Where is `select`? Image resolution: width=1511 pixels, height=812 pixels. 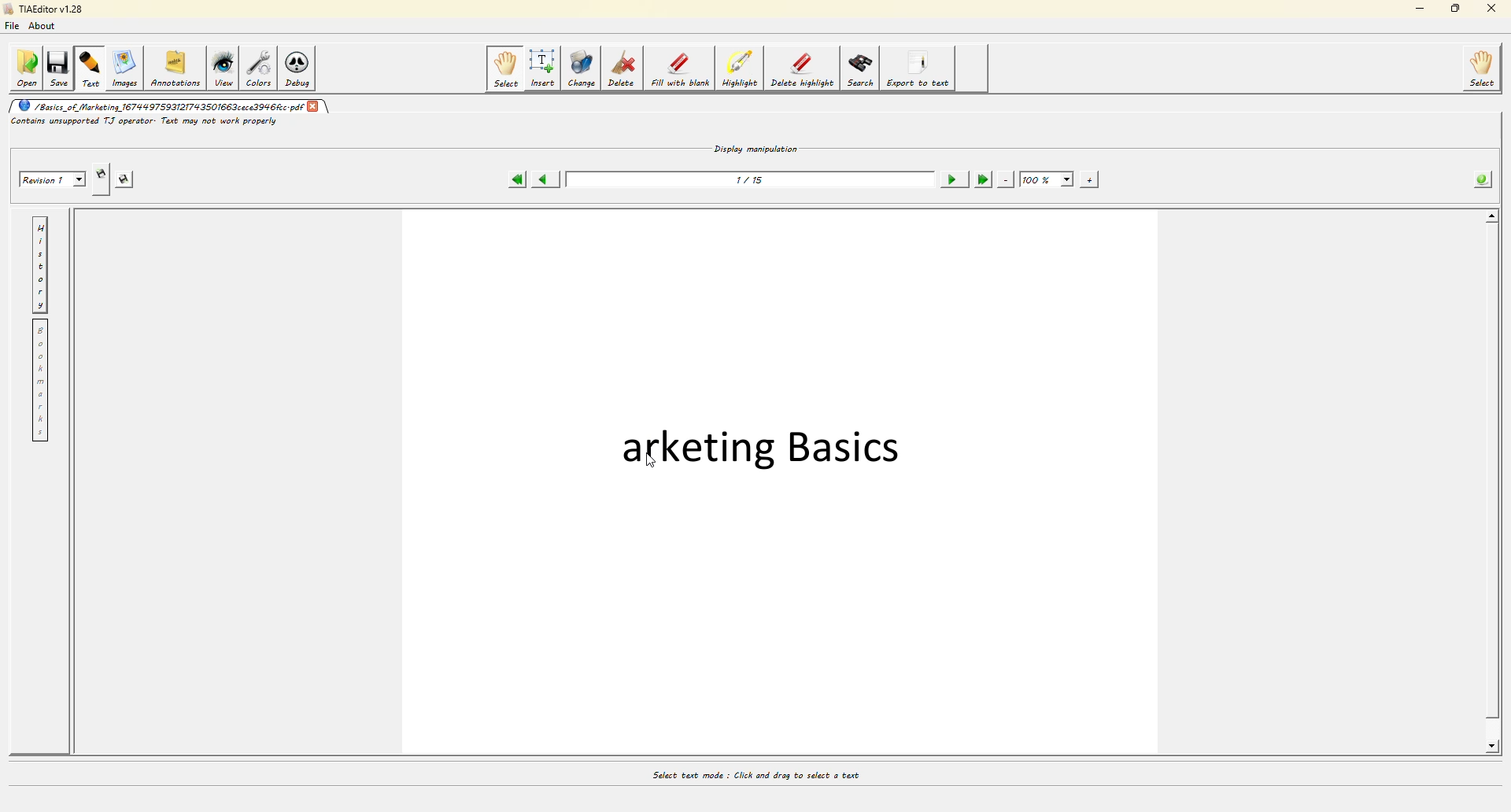
select is located at coordinates (1483, 69).